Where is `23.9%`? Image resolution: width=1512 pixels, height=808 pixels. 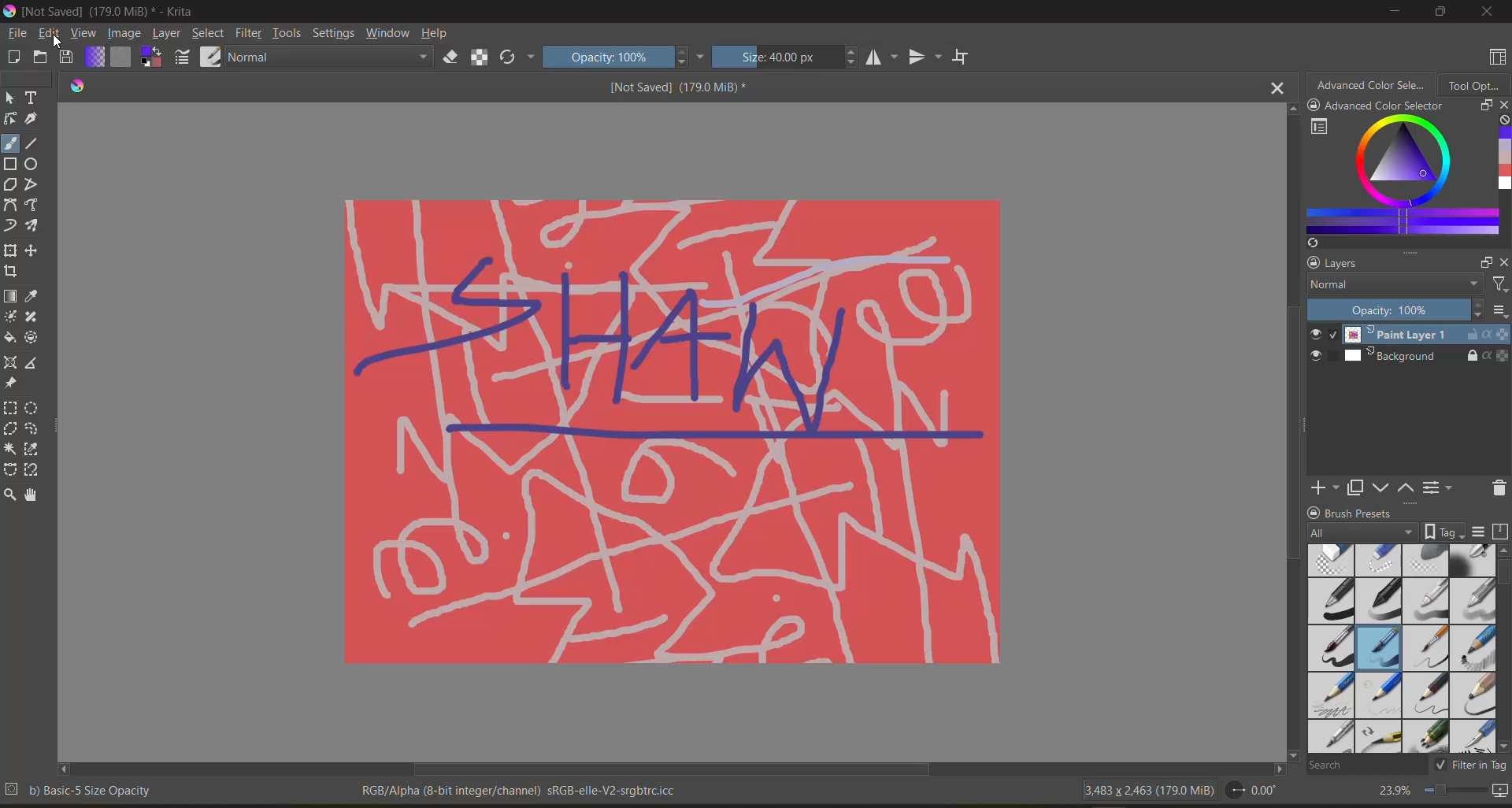 23.9% is located at coordinates (1392, 790).